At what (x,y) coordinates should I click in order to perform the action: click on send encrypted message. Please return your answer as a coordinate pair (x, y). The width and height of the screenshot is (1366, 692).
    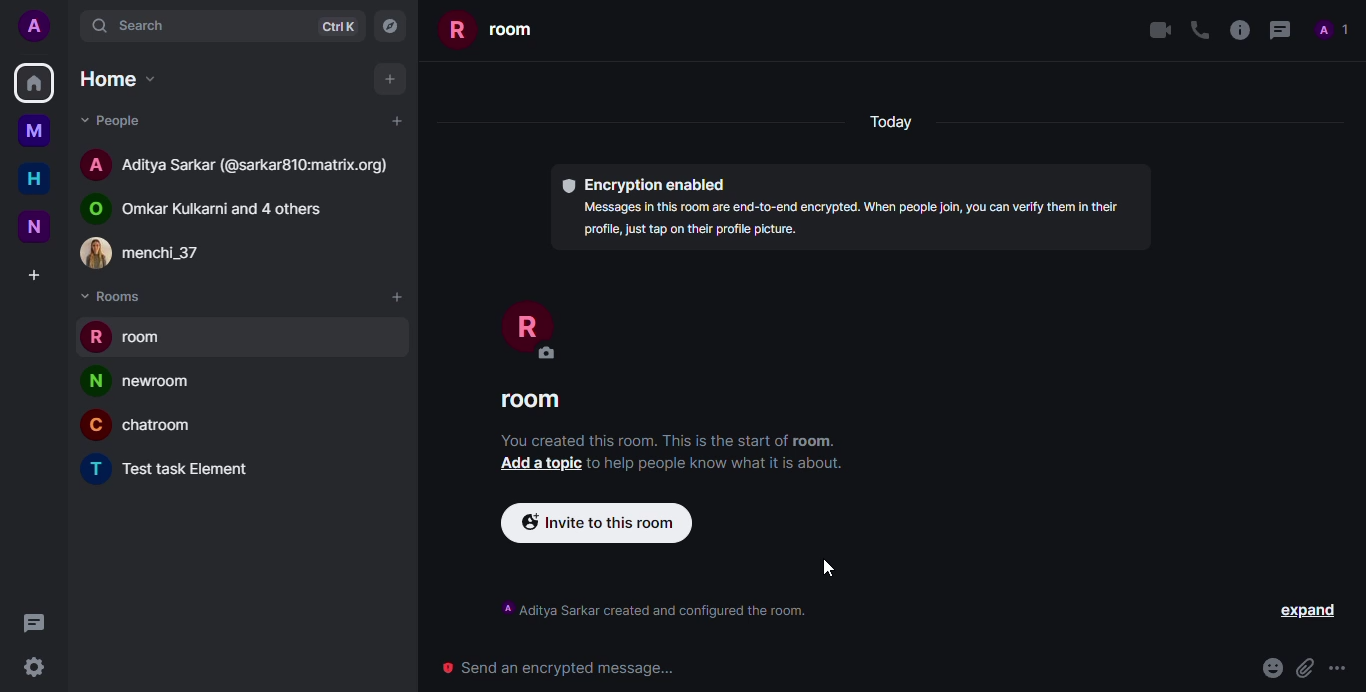
    Looking at the image, I should click on (558, 667).